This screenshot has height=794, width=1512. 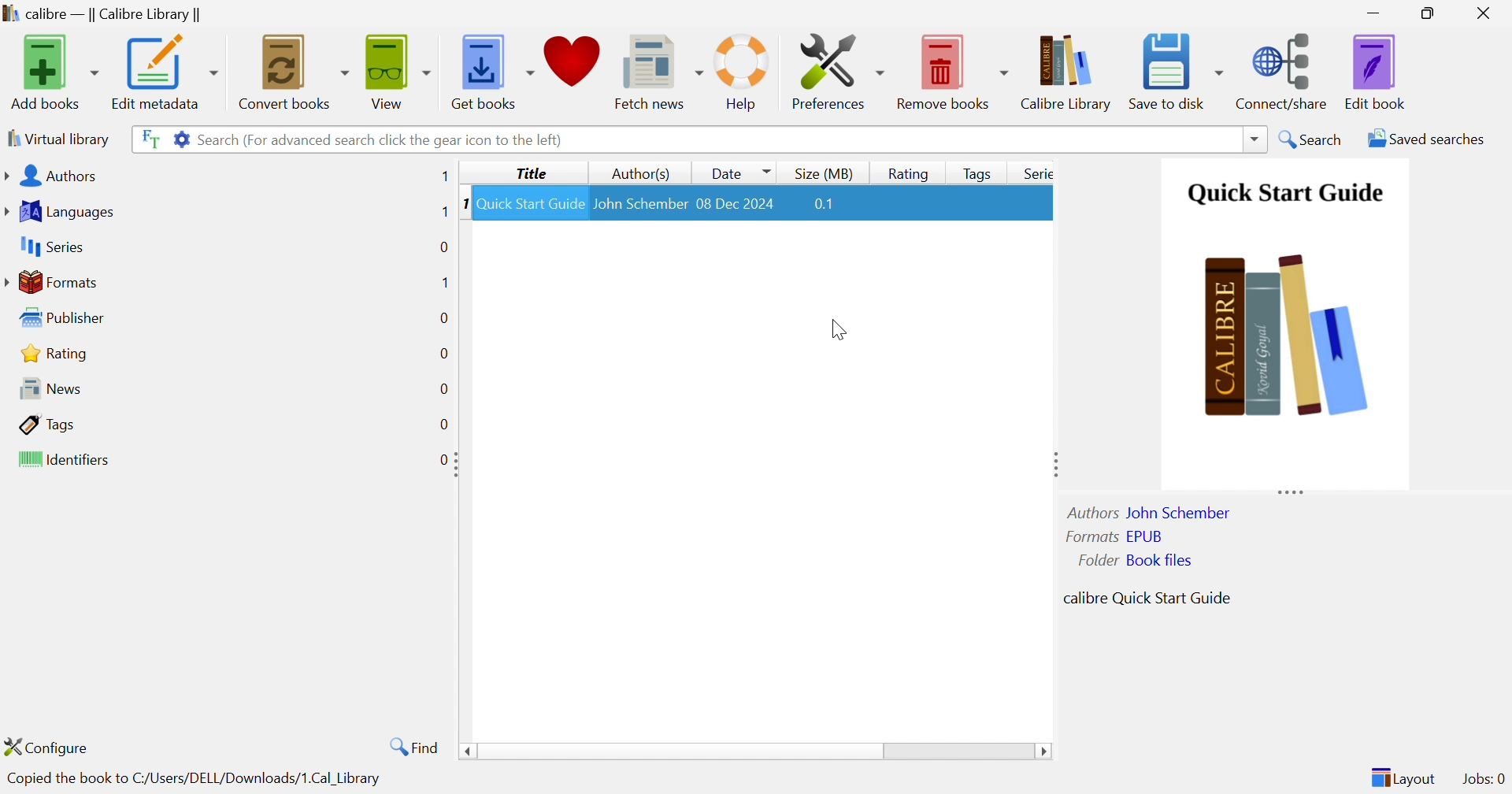 I want to click on [one book, 1 selected], so click(x=312, y=779).